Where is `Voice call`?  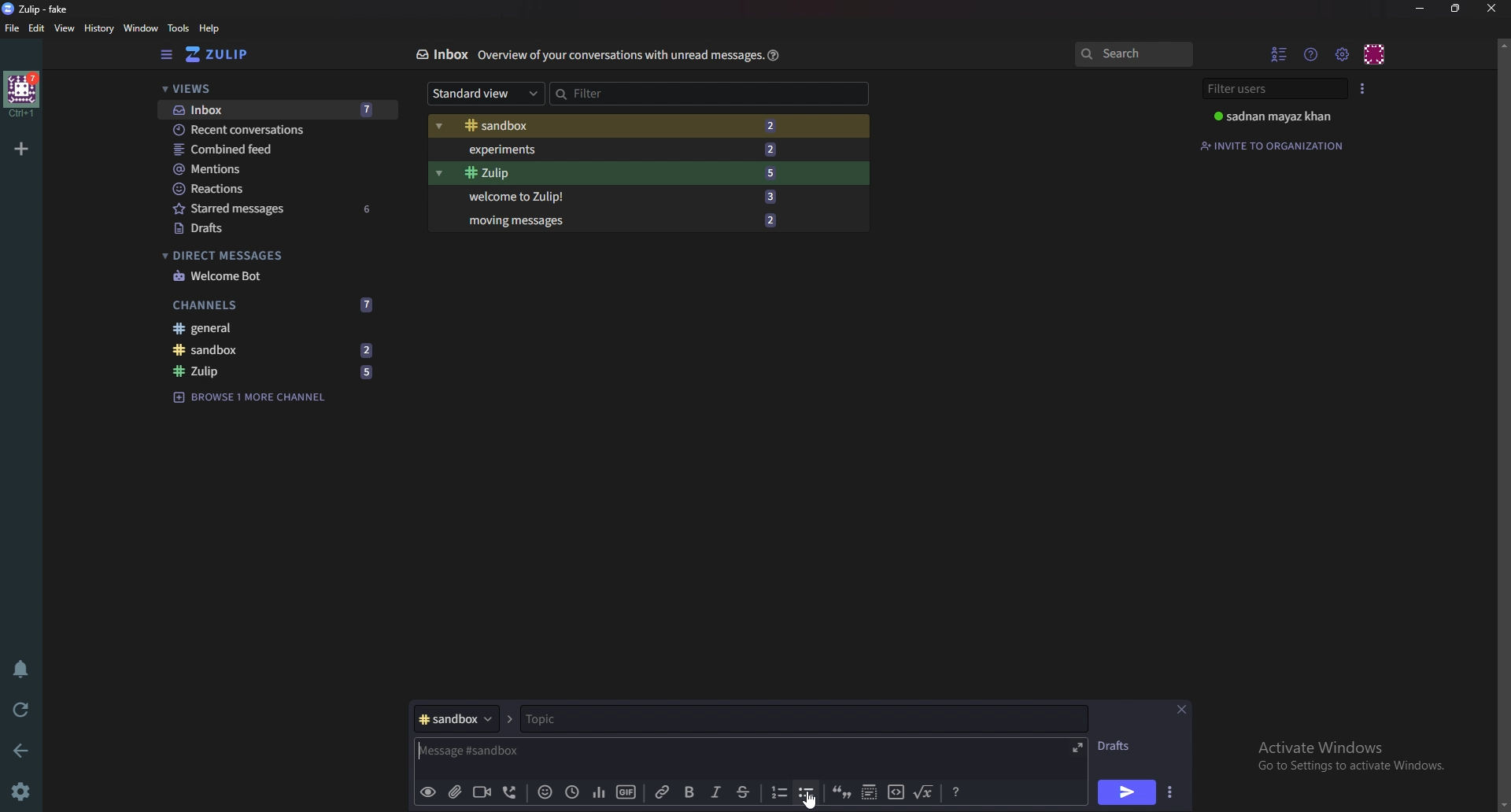
Voice call is located at coordinates (513, 792).